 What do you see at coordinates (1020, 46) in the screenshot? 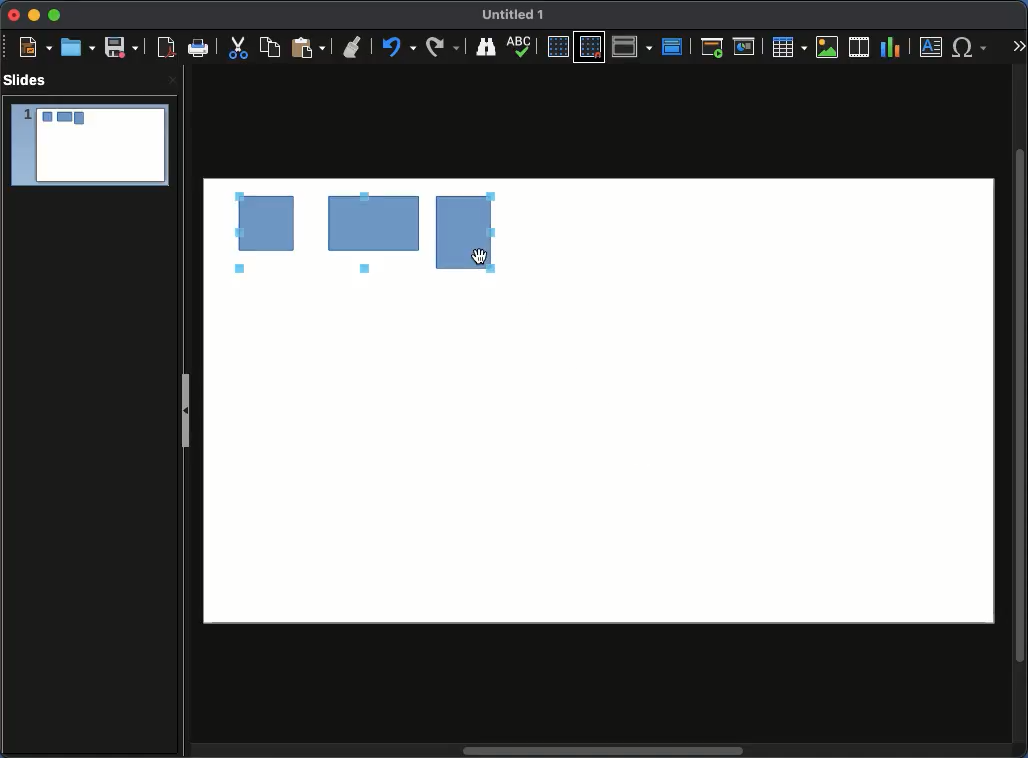
I see `More` at bounding box center [1020, 46].